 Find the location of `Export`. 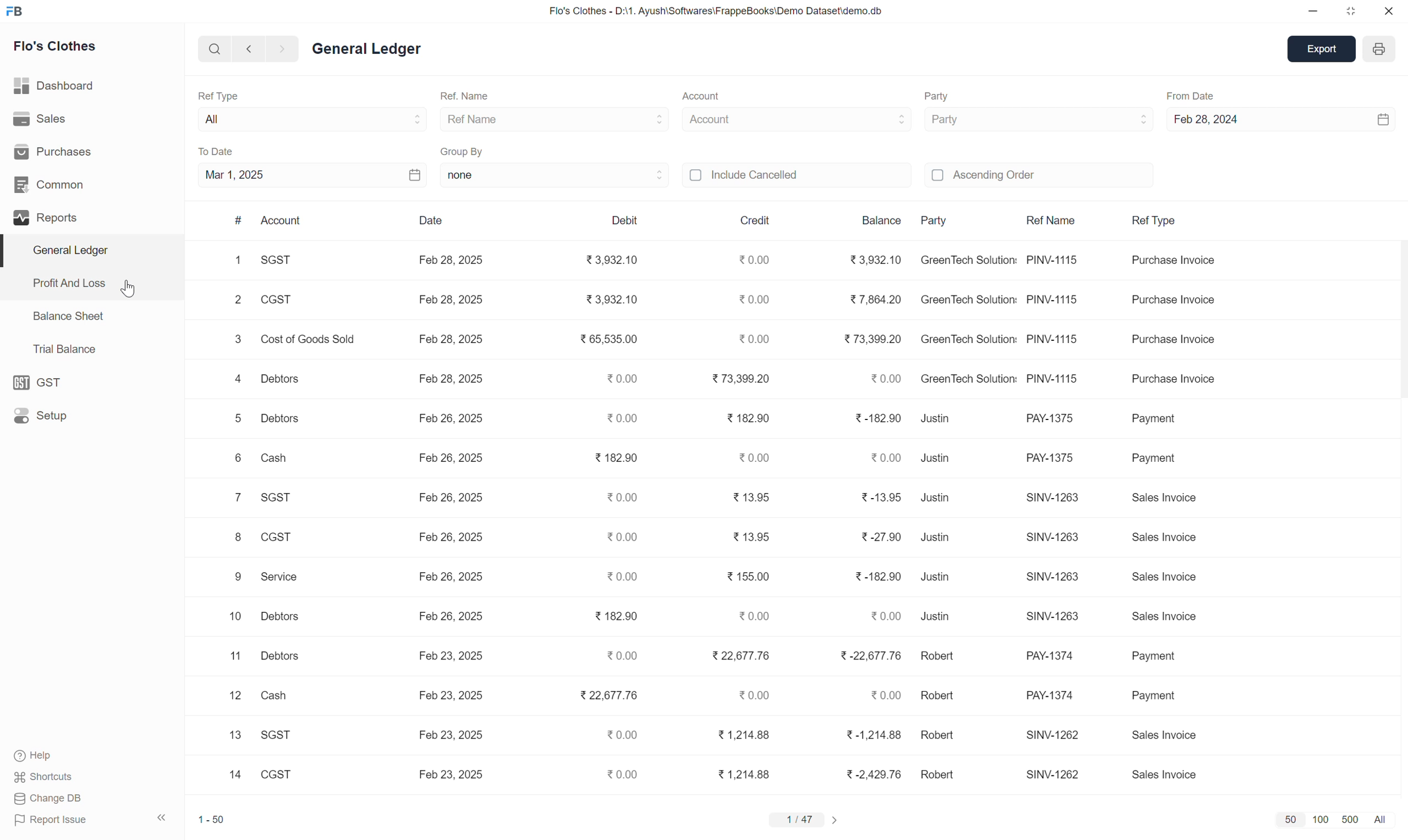

Export is located at coordinates (1320, 49).